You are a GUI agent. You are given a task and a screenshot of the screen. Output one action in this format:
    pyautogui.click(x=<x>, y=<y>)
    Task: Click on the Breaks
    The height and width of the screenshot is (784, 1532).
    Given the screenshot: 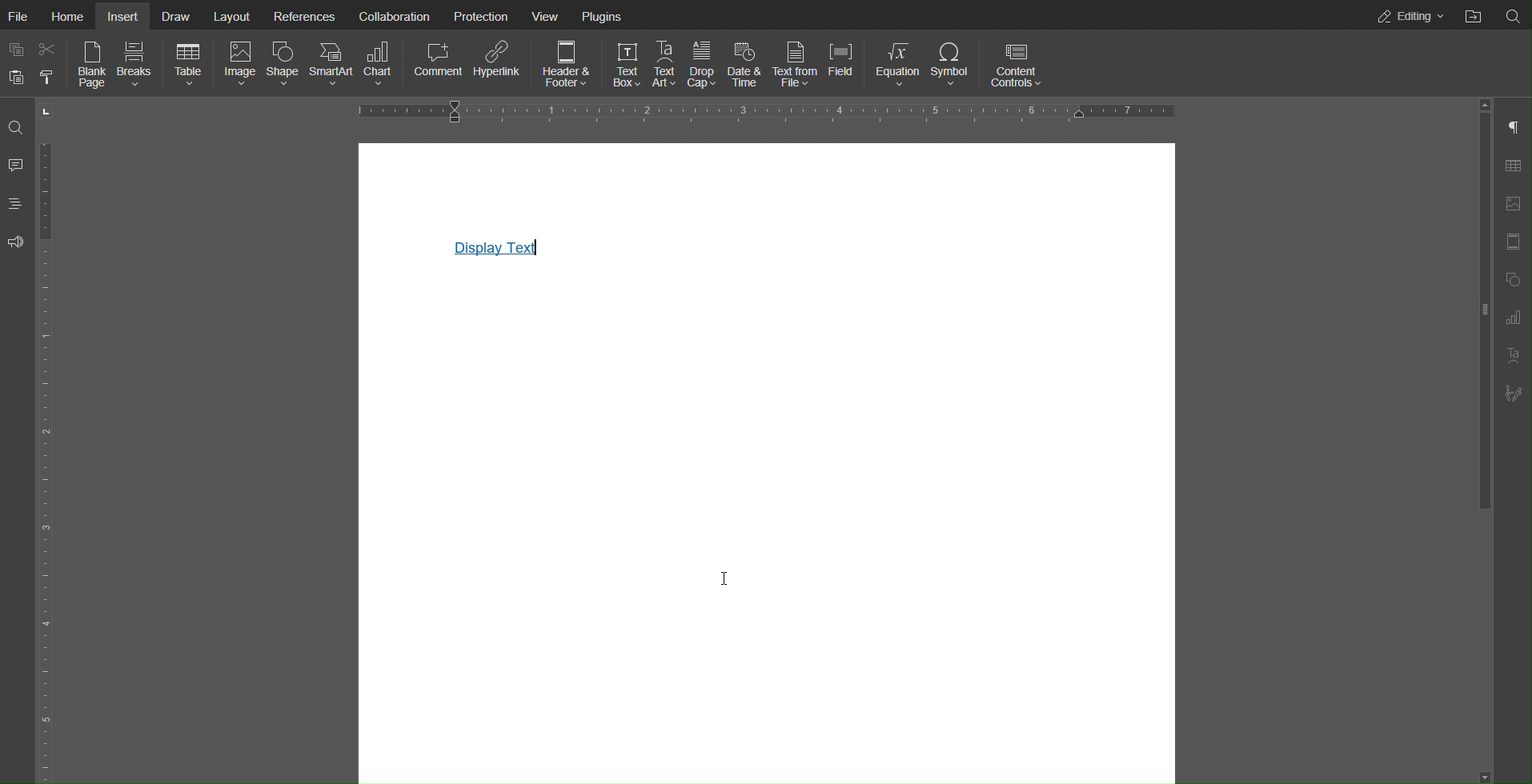 What is the action you would take?
    pyautogui.click(x=140, y=66)
    